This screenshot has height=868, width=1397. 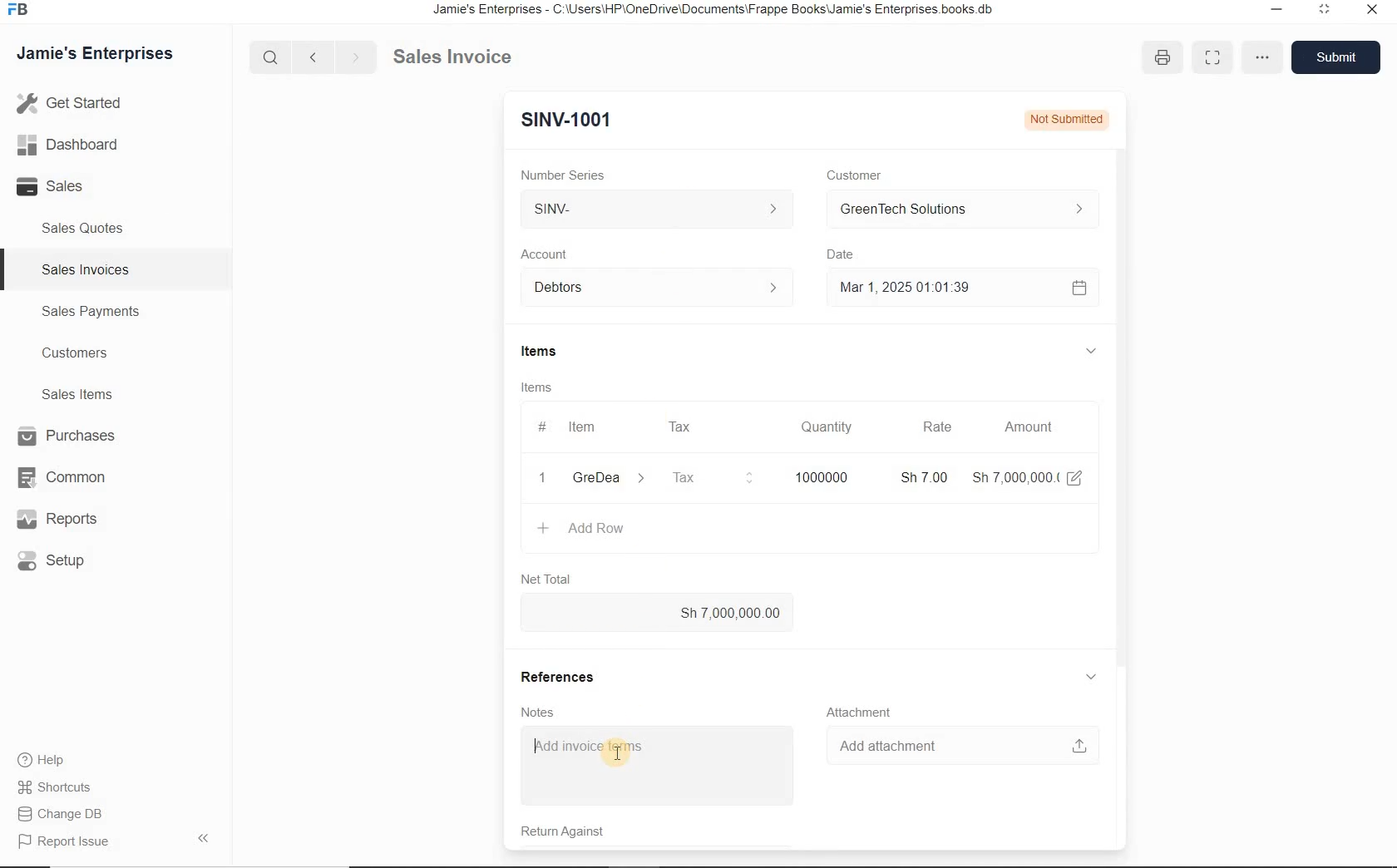 What do you see at coordinates (1075, 476) in the screenshot?
I see `edit` at bounding box center [1075, 476].